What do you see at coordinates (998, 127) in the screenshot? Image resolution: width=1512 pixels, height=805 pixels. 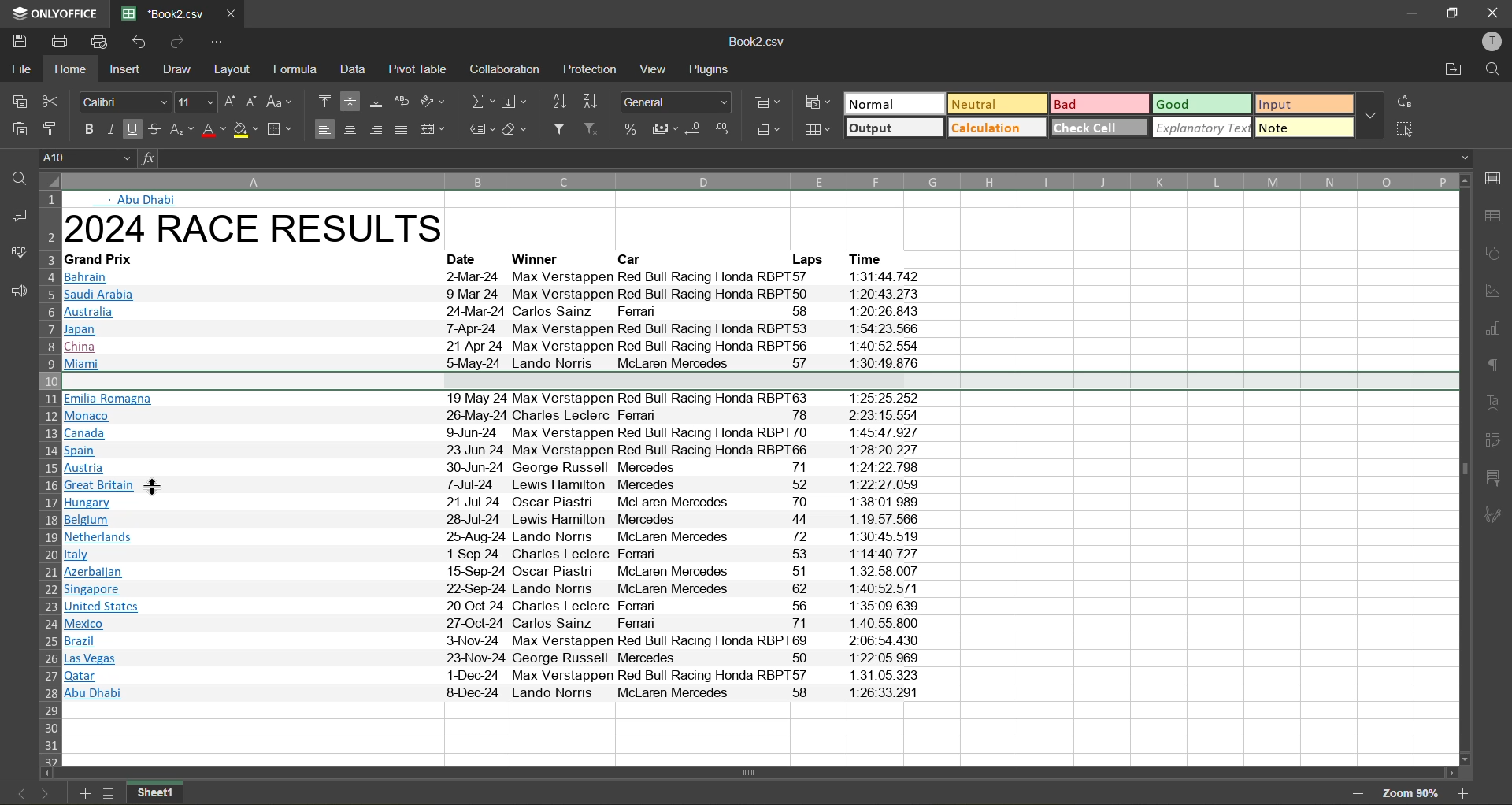 I see `calculation` at bounding box center [998, 127].